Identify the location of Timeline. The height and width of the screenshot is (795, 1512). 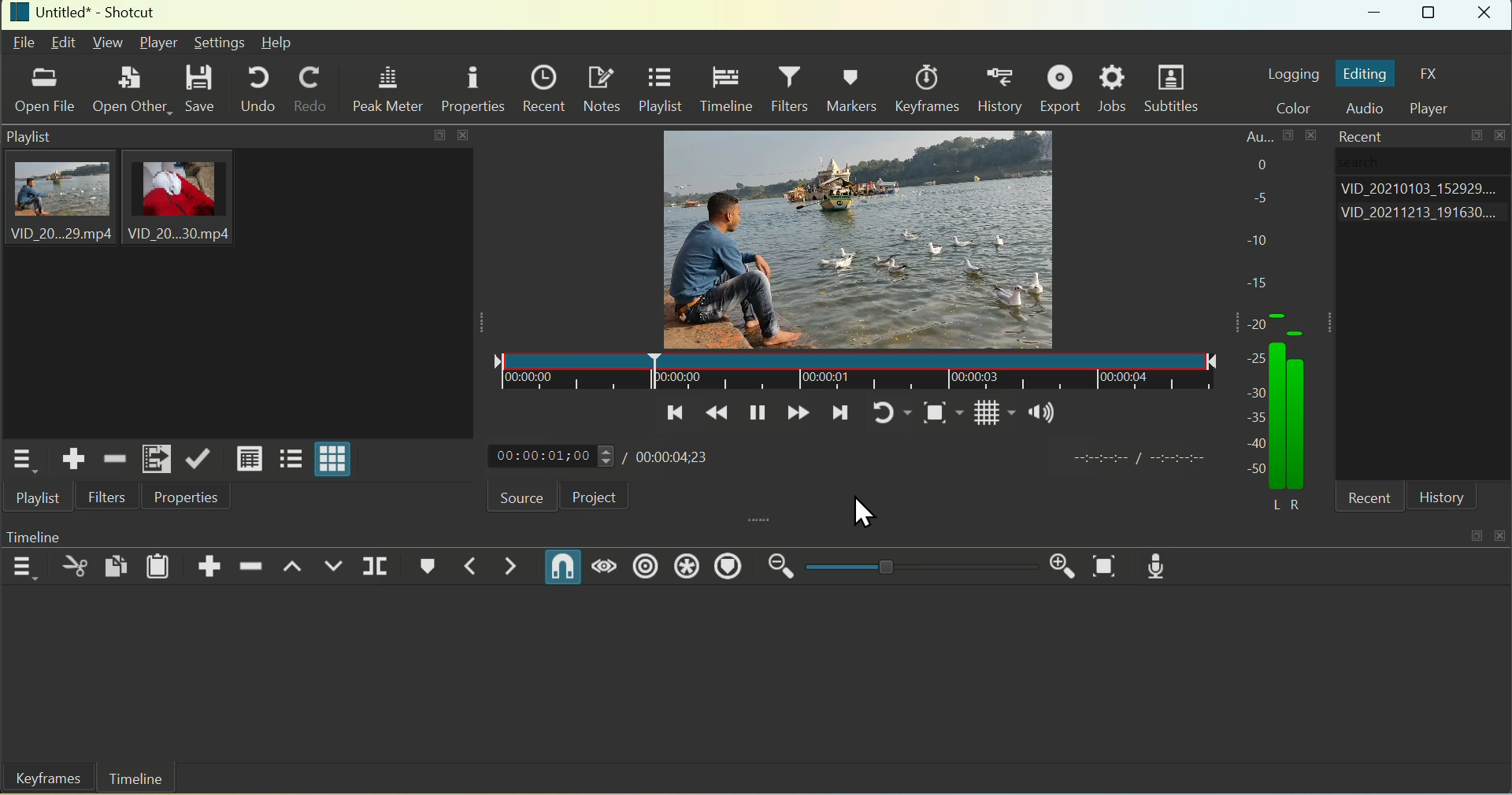
(725, 90).